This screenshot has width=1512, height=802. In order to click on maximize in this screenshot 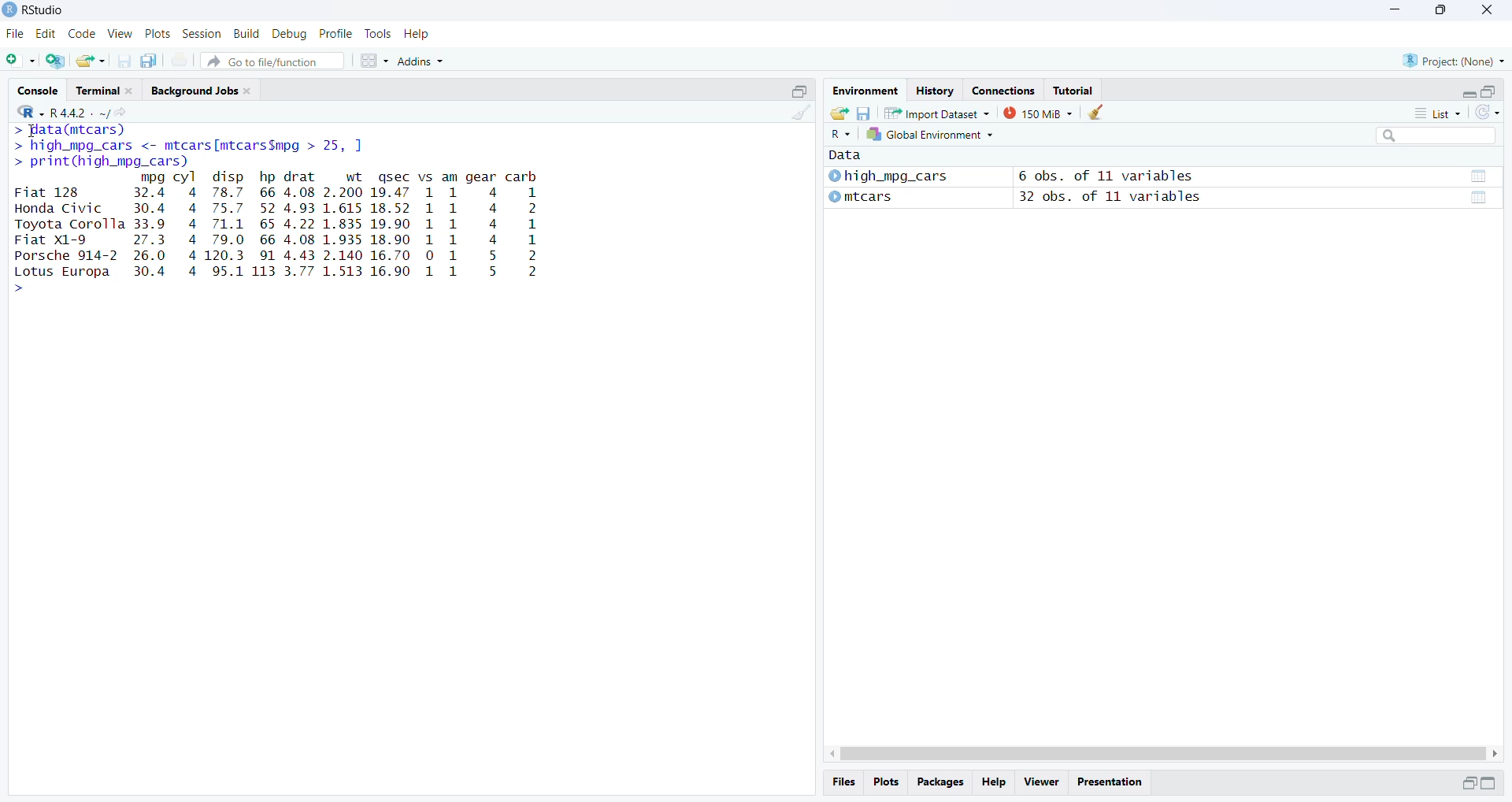, I will do `click(1489, 92)`.